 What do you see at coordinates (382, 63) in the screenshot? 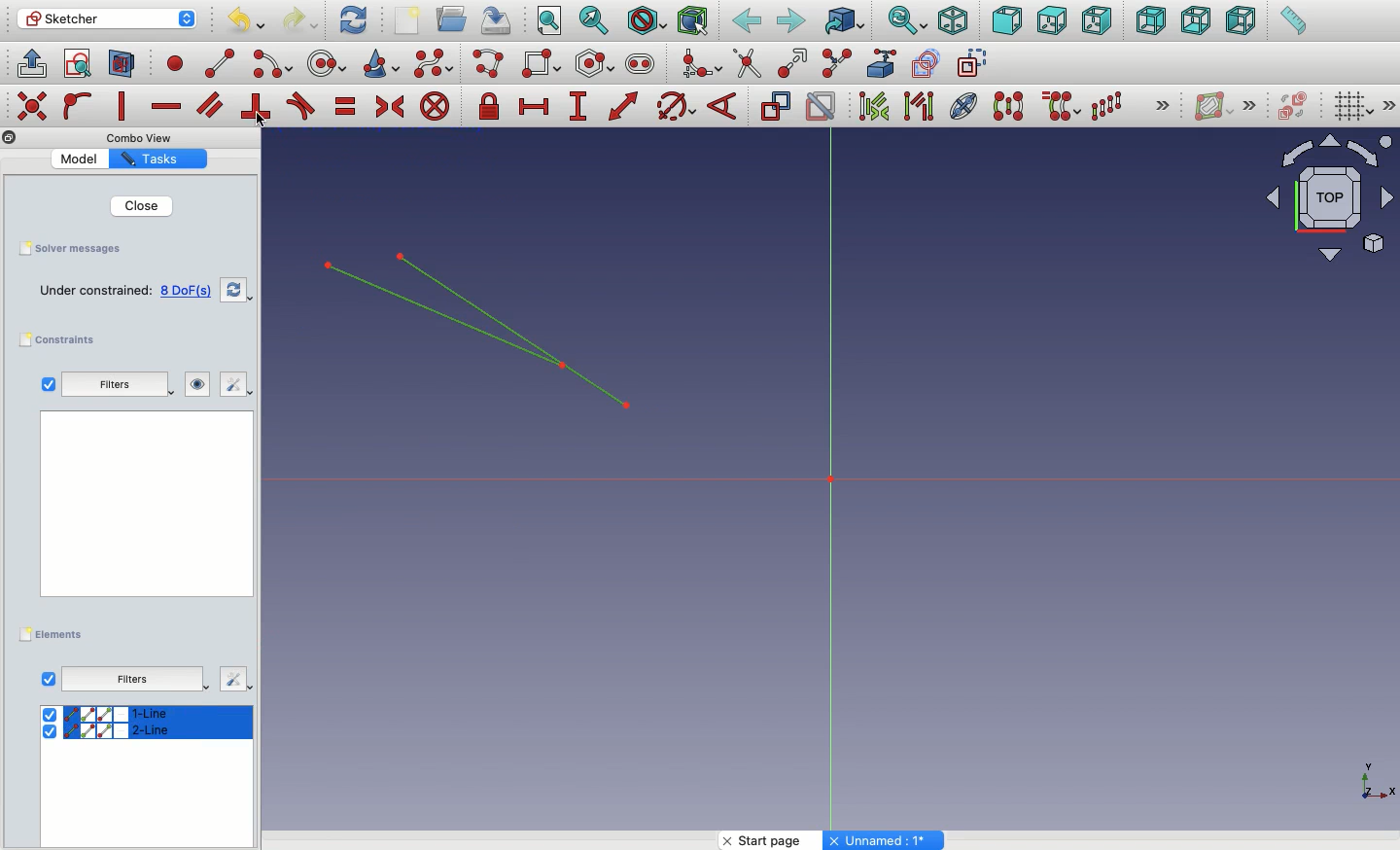
I see `Conci` at bounding box center [382, 63].